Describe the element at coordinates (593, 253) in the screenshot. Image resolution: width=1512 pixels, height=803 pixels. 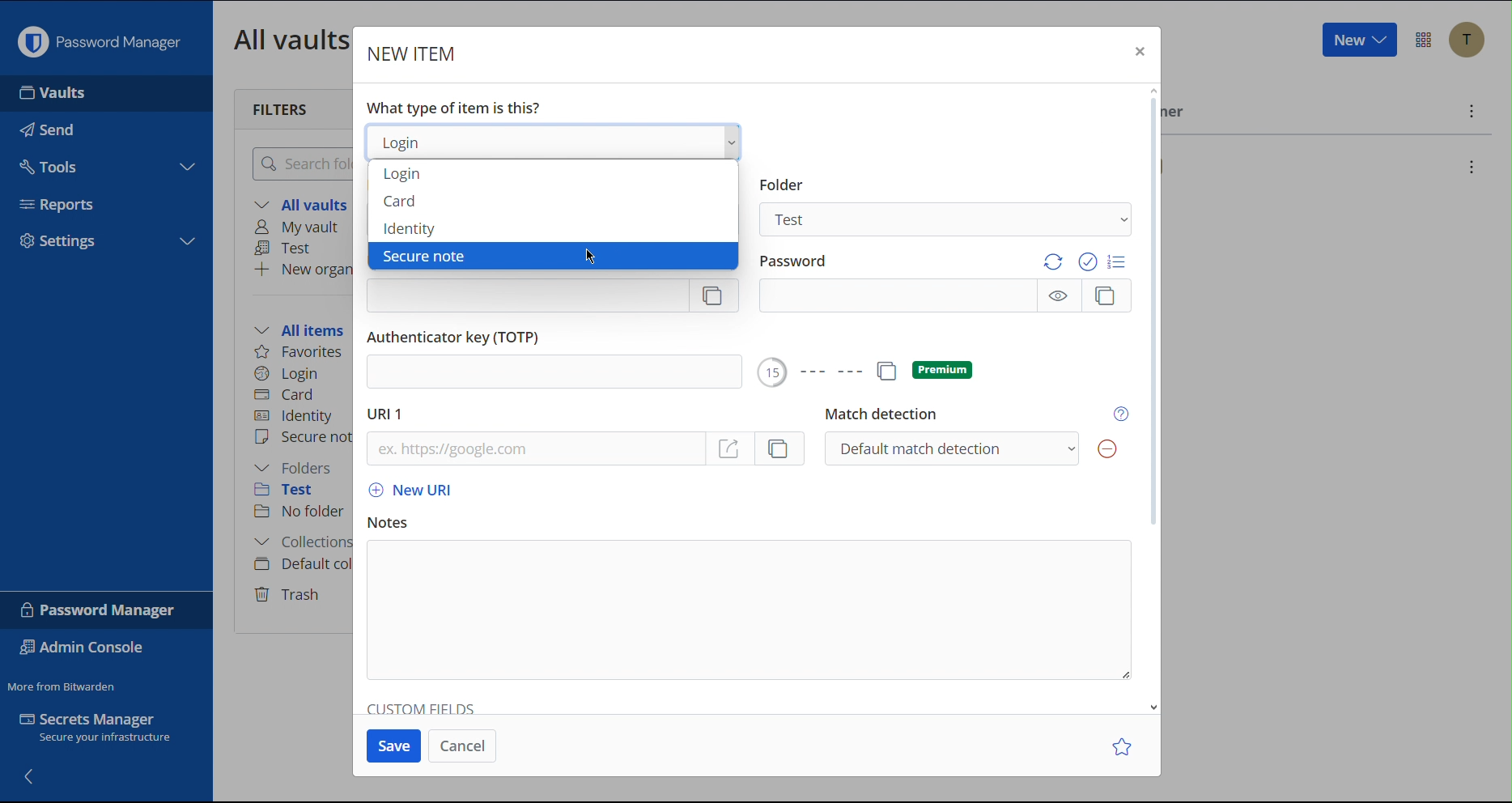
I see `Cursor` at that location.